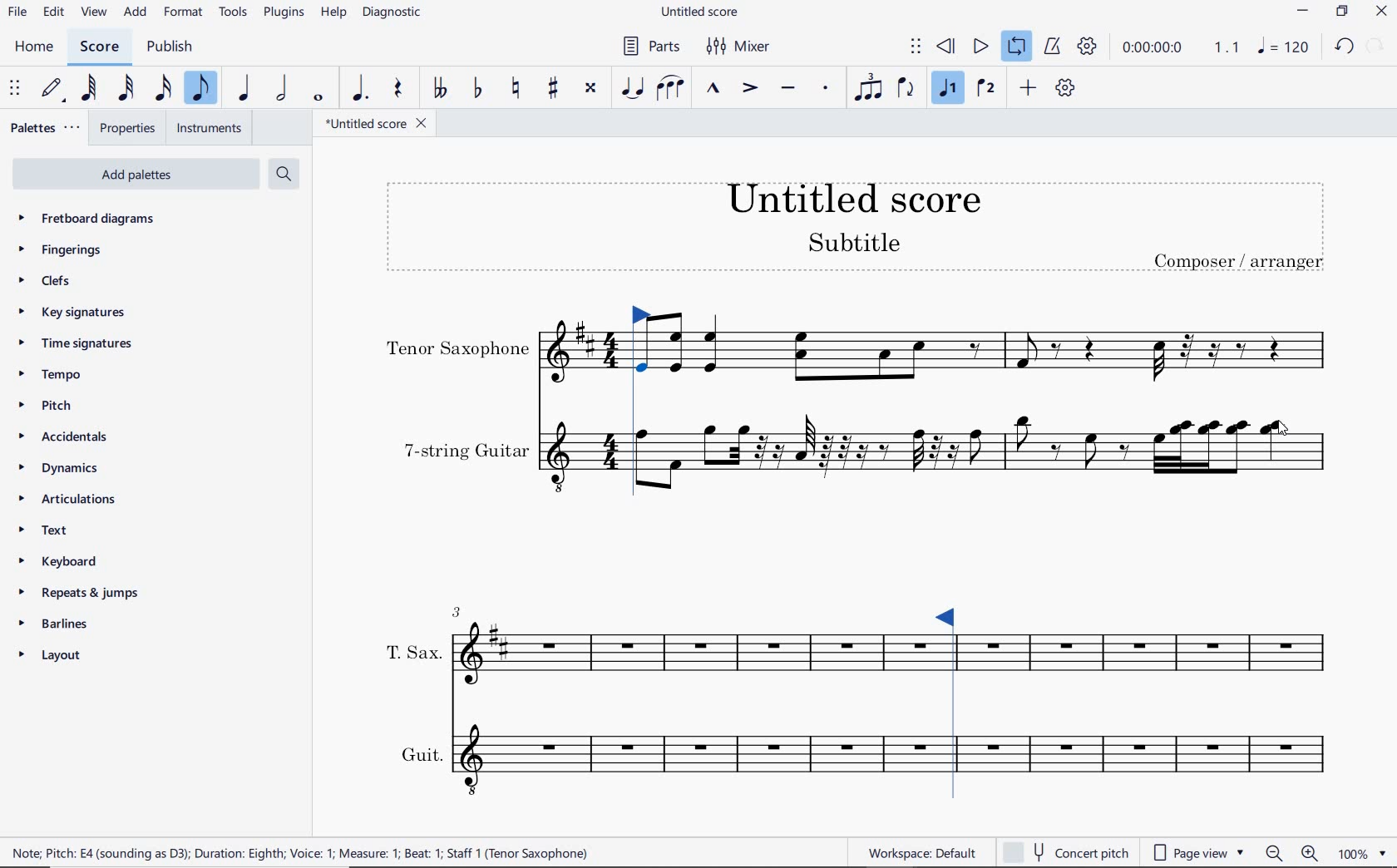 The height and width of the screenshot is (868, 1397). What do you see at coordinates (787, 90) in the screenshot?
I see `TENUTO` at bounding box center [787, 90].